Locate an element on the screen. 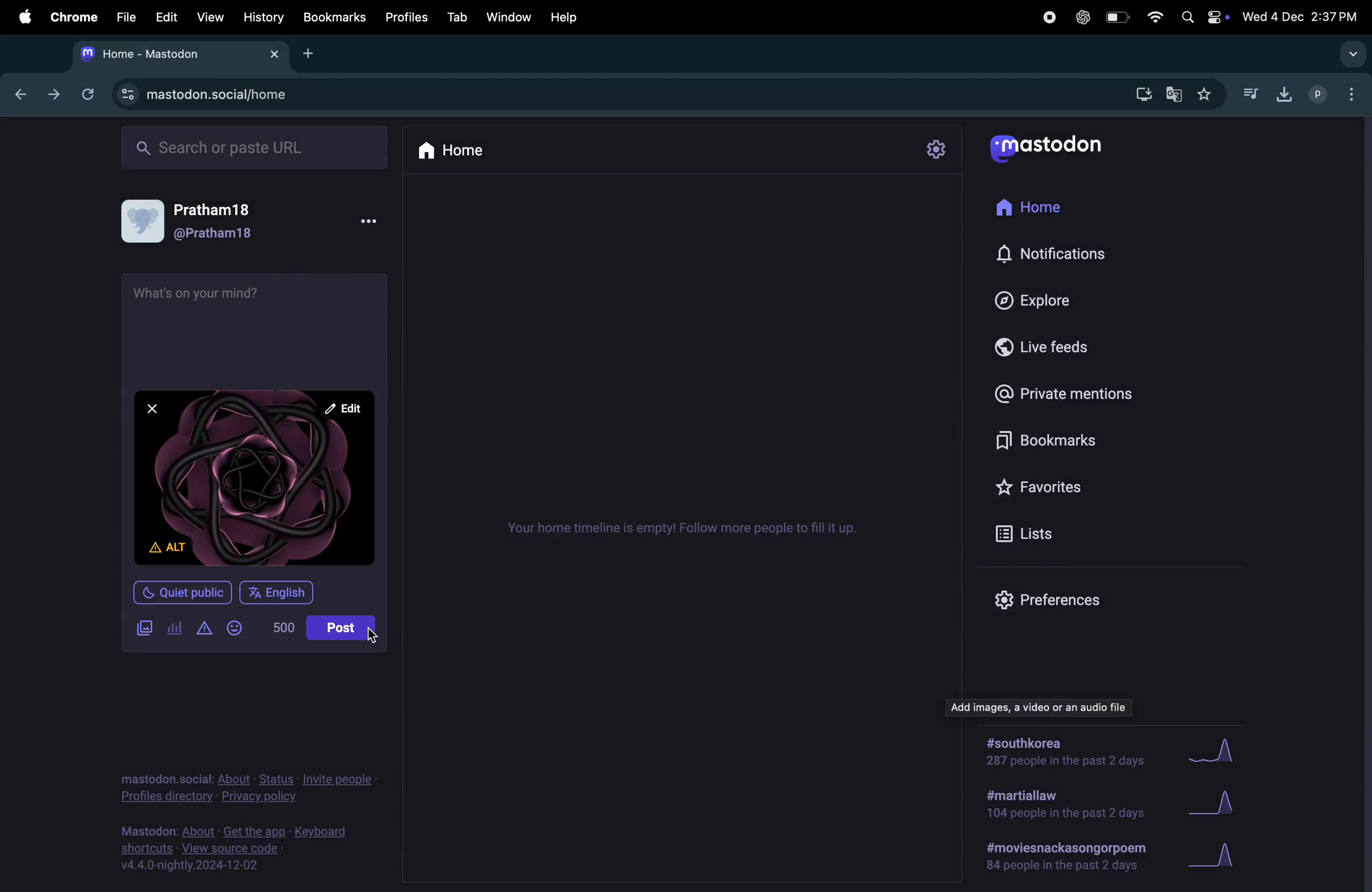 Image resolution: width=1372 pixels, height=892 pixels. wifi is located at coordinates (1153, 17).